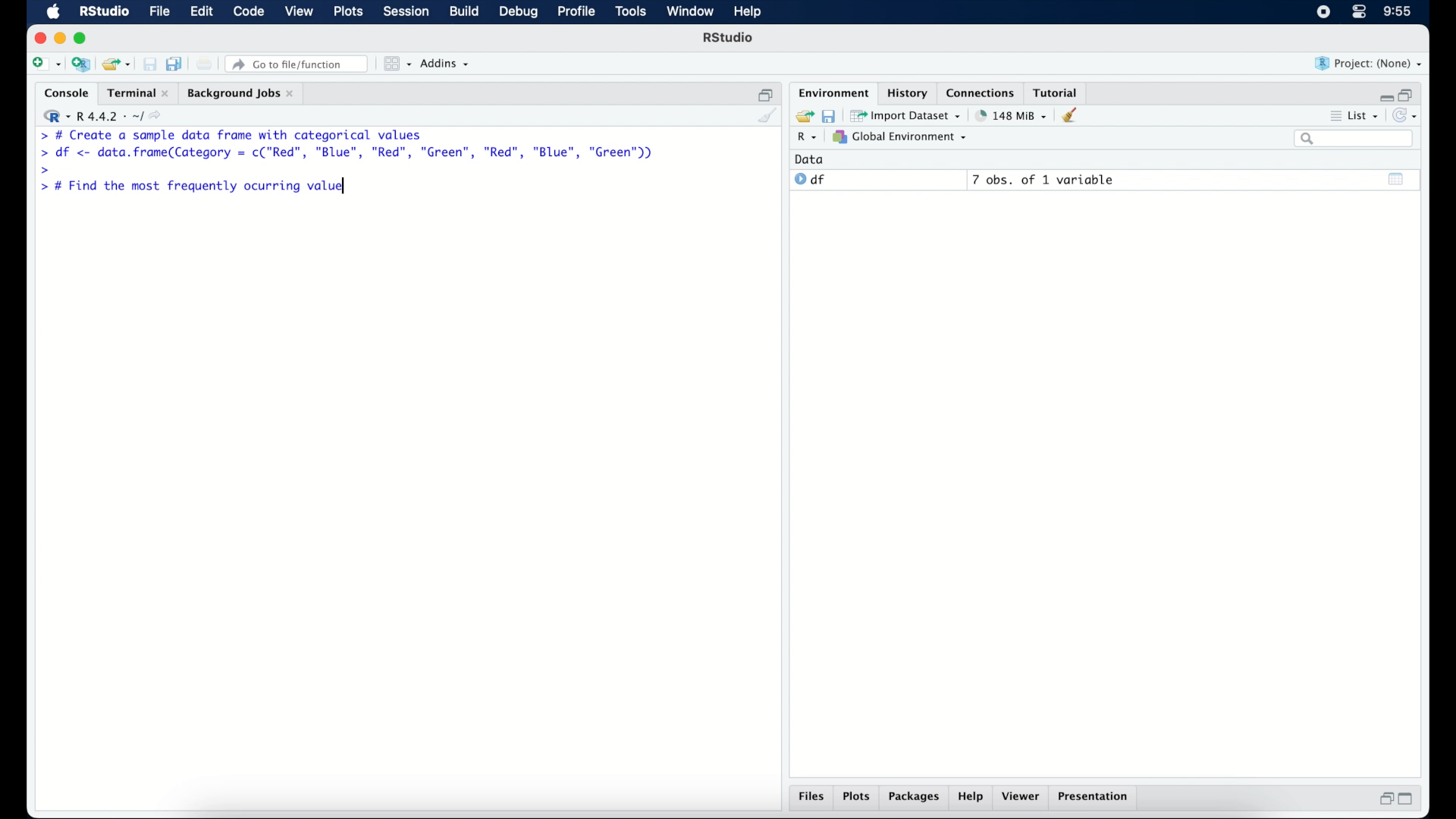 The width and height of the screenshot is (1456, 819). Describe the element at coordinates (1022, 798) in the screenshot. I see `viewer` at that location.